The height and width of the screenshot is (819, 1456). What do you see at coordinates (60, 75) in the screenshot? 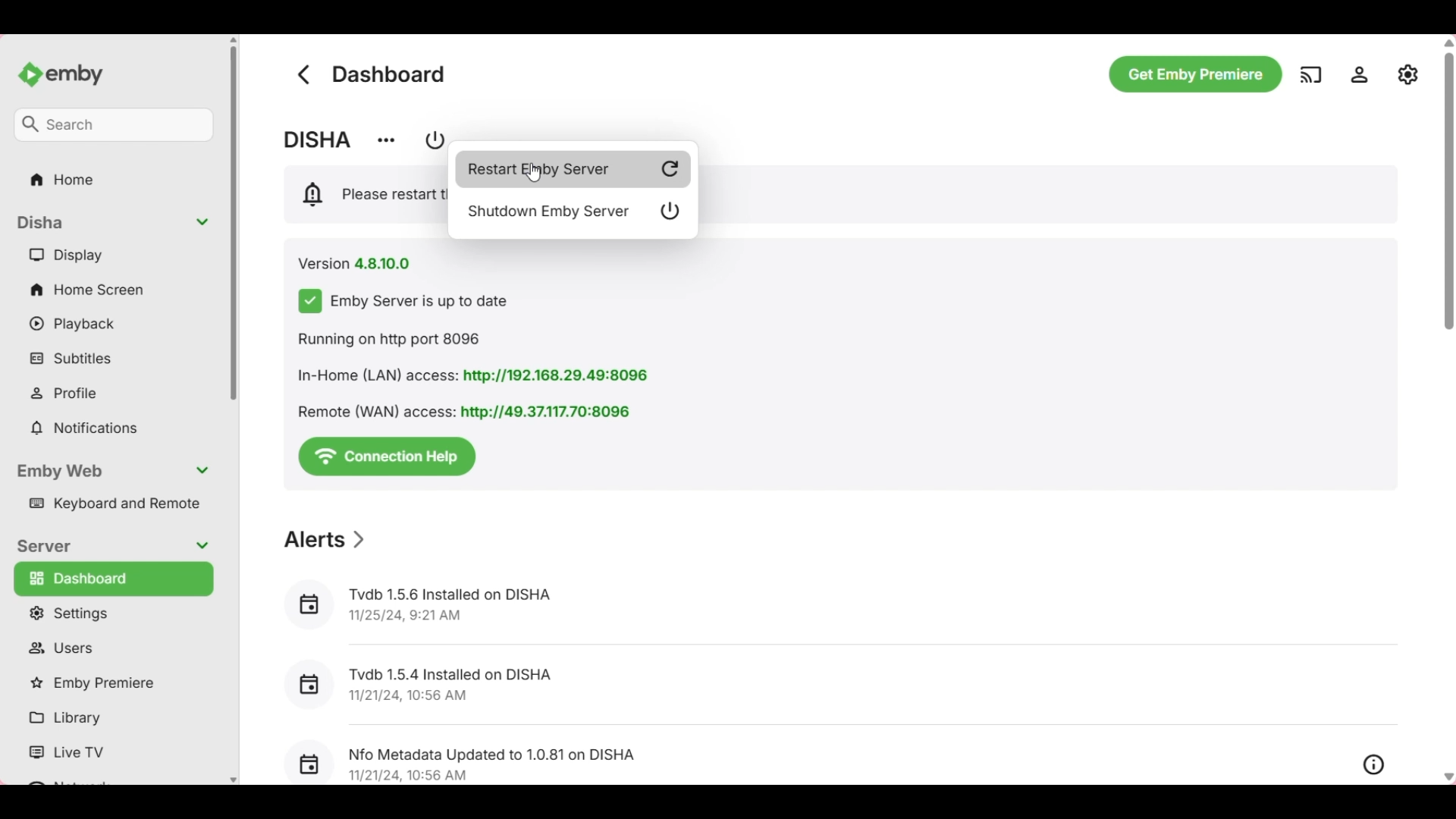
I see `Go to home button/Name and image of Emby` at bounding box center [60, 75].